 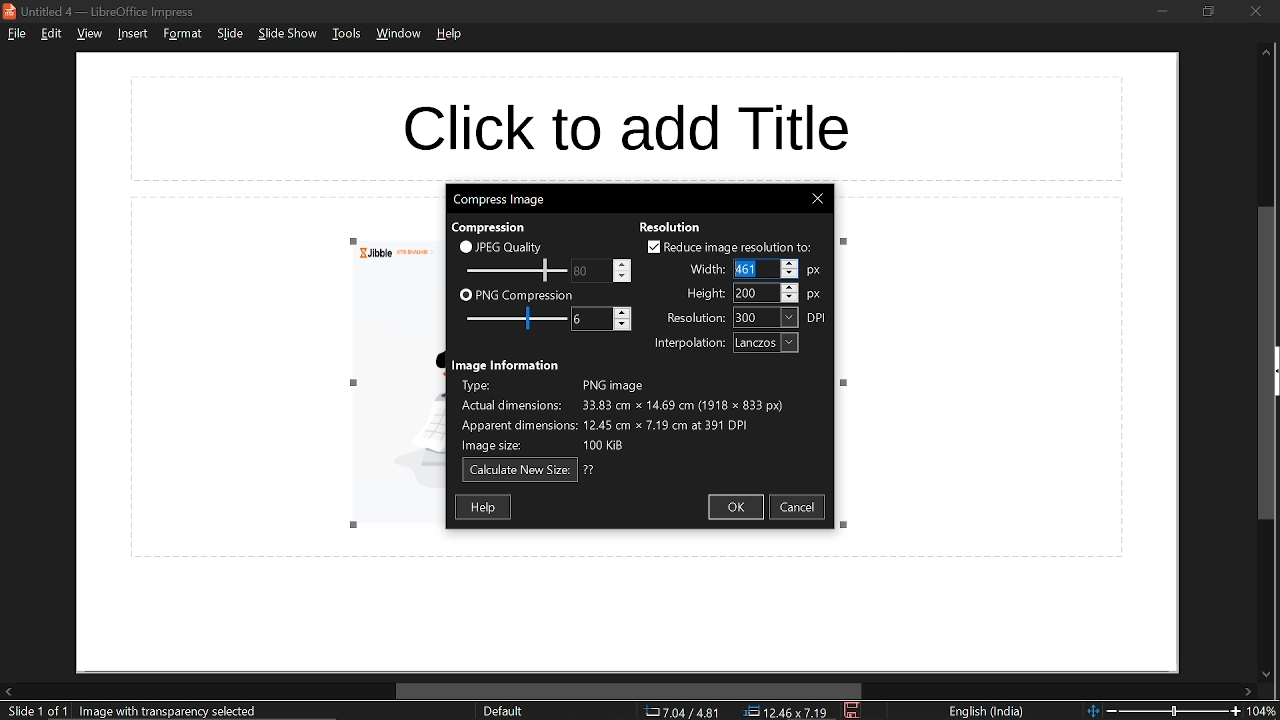 I want to click on close, so click(x=1257, y=11).